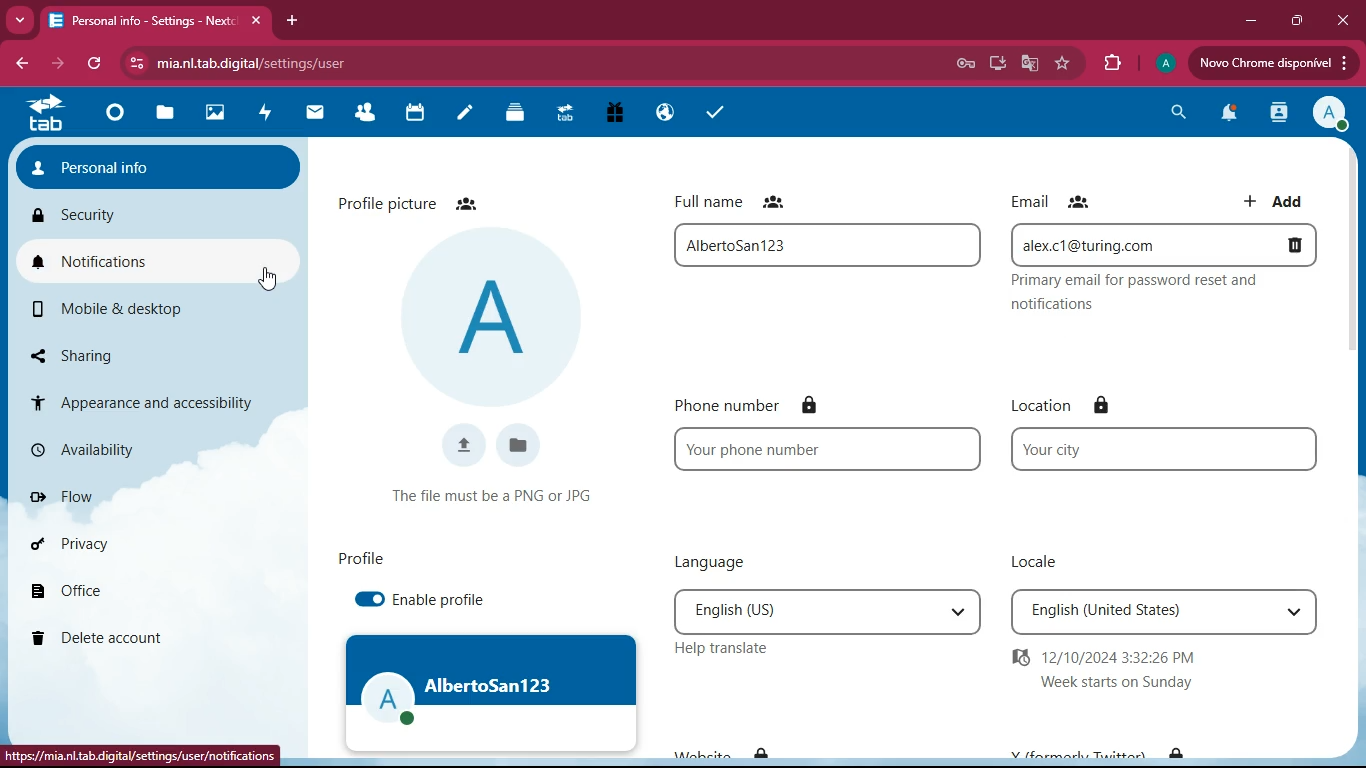 This screenshot has width=1366, height=768. What do you see at coordinates (714, 116) in the screenshot?
I see `tasks` at bounding box center [714, 116].